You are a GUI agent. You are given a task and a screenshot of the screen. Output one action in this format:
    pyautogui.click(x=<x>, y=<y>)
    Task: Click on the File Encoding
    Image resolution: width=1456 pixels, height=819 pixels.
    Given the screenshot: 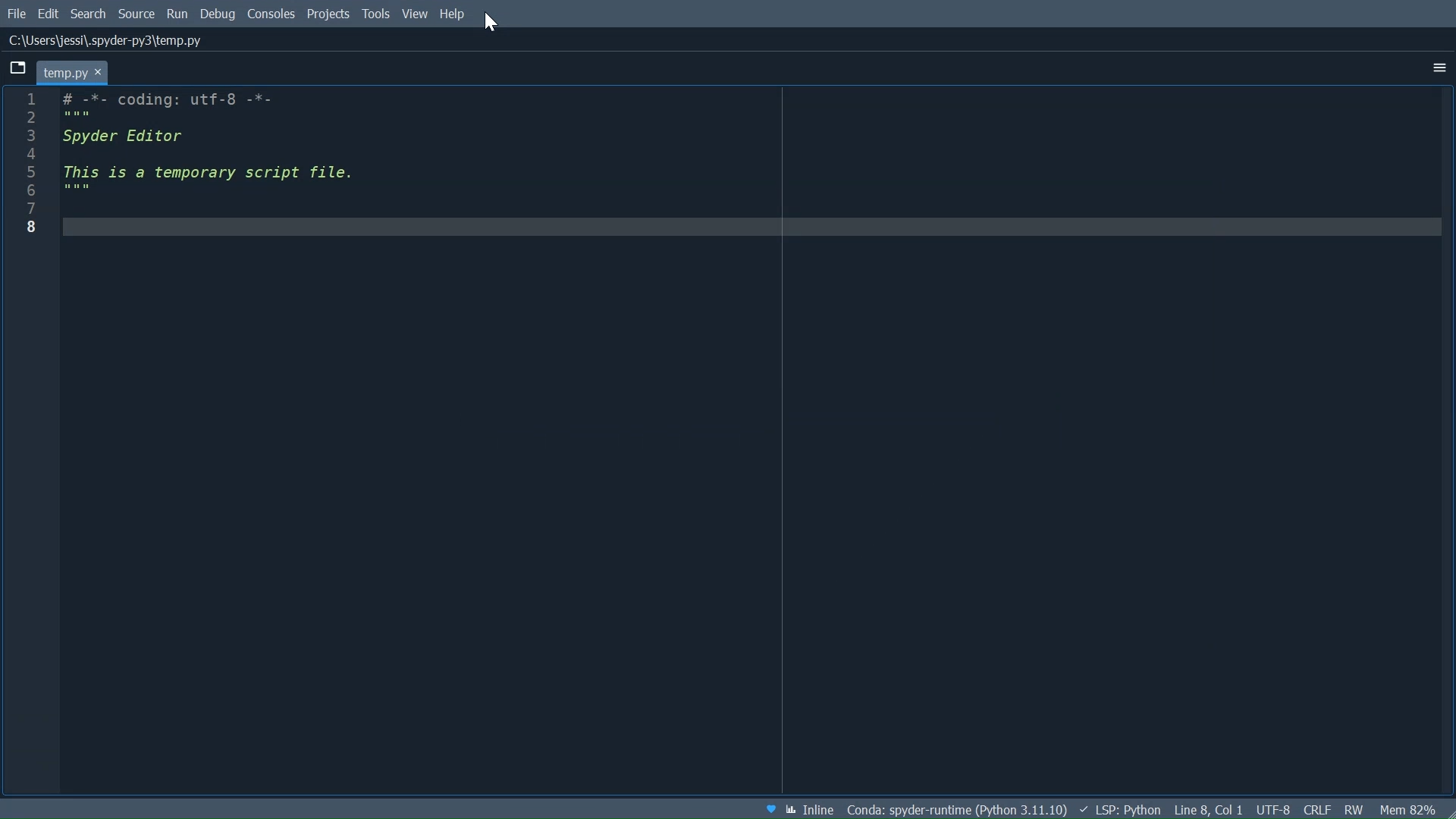 What is the action you would take?
    pyautogui.click(x=1272, y=809)
    